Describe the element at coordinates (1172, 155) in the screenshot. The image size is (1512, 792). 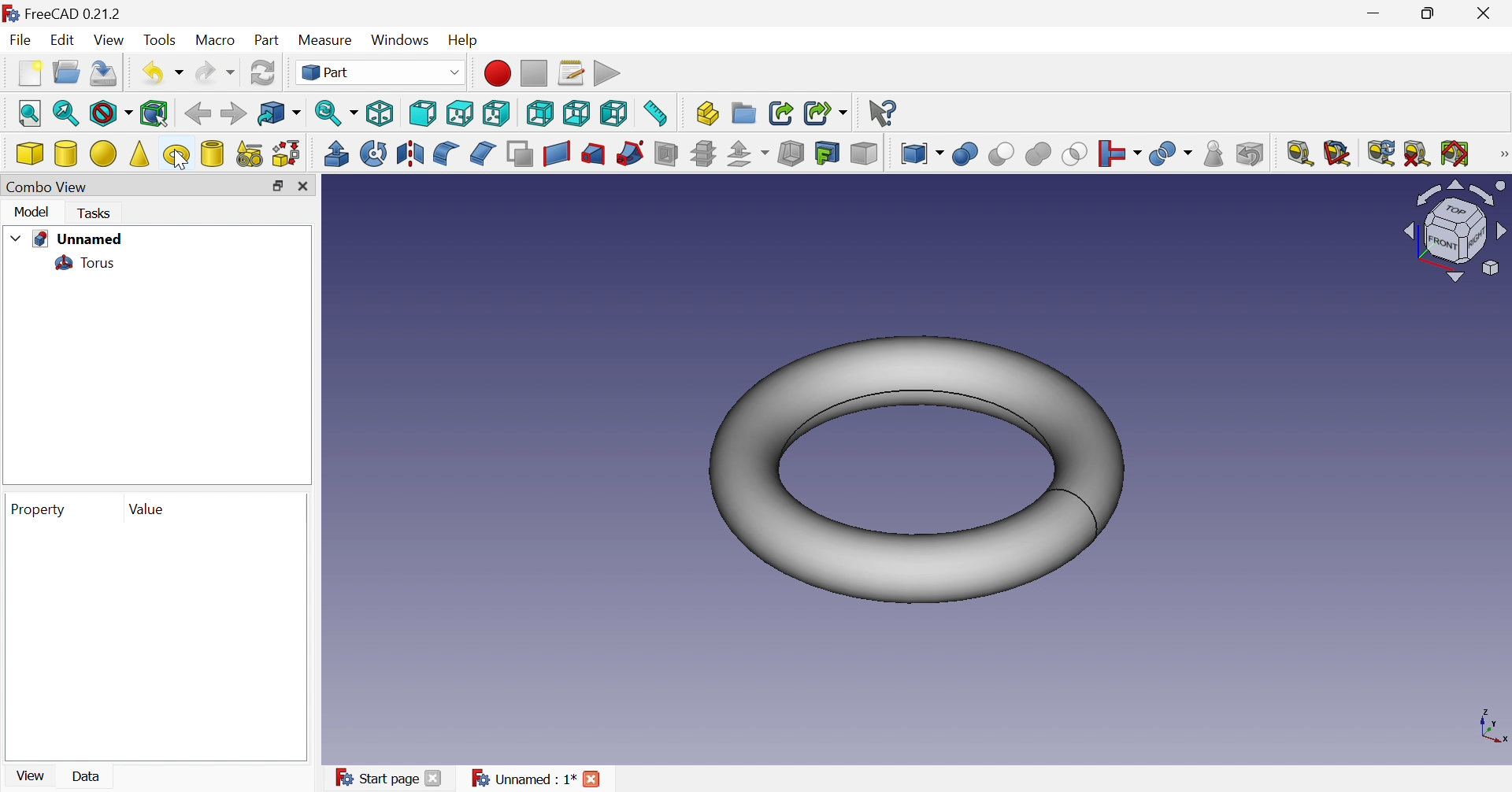
I see `Check geometry` at that location.